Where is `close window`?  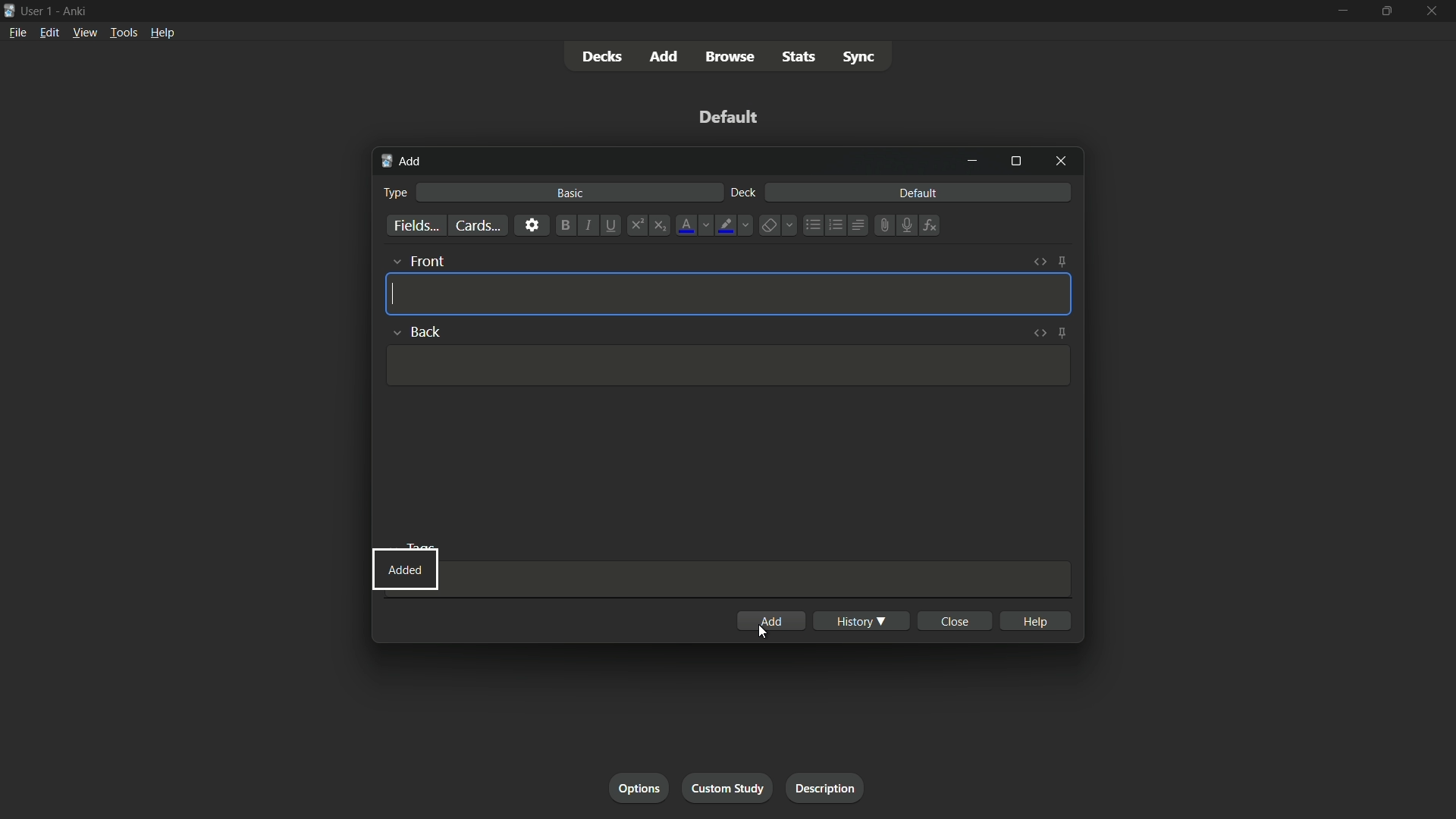 close window is located at coordinates (1059, 162).